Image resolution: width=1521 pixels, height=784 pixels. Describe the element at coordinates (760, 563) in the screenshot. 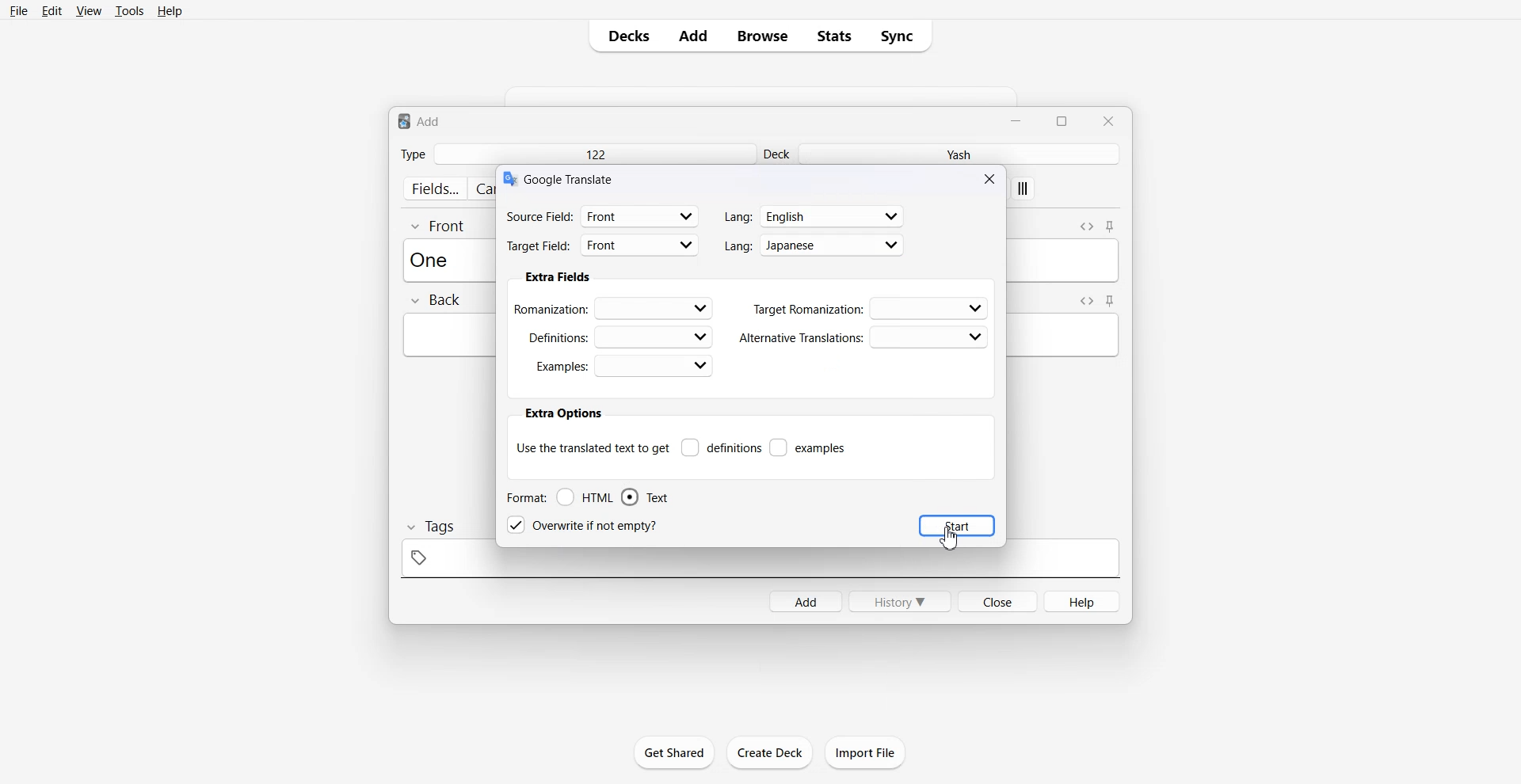

I see `tag space` at that location.